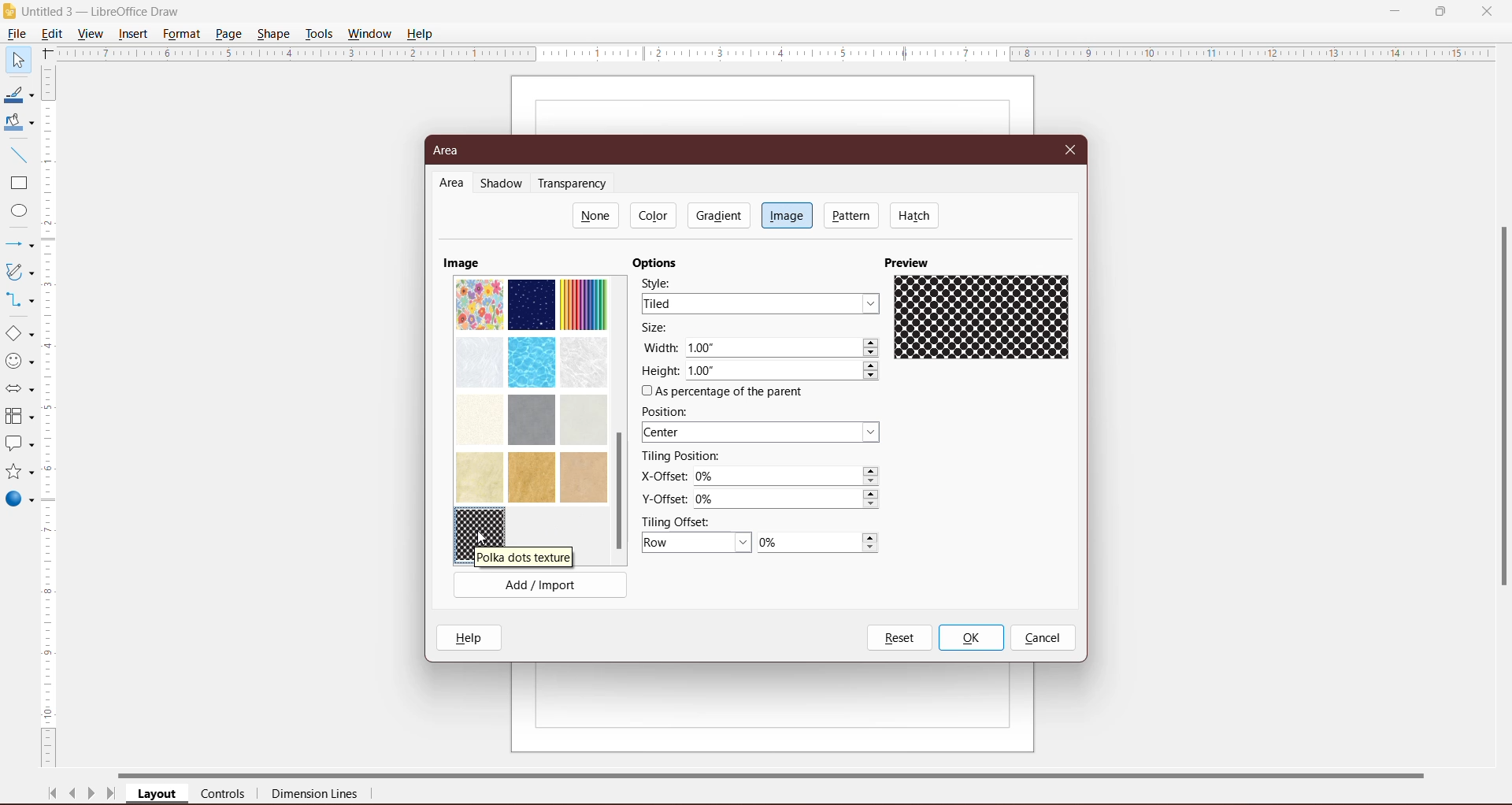 Image resolution: width=1512 pixels, height=805 pixels. I want to click on Scroll to next page, so click(91, 796).